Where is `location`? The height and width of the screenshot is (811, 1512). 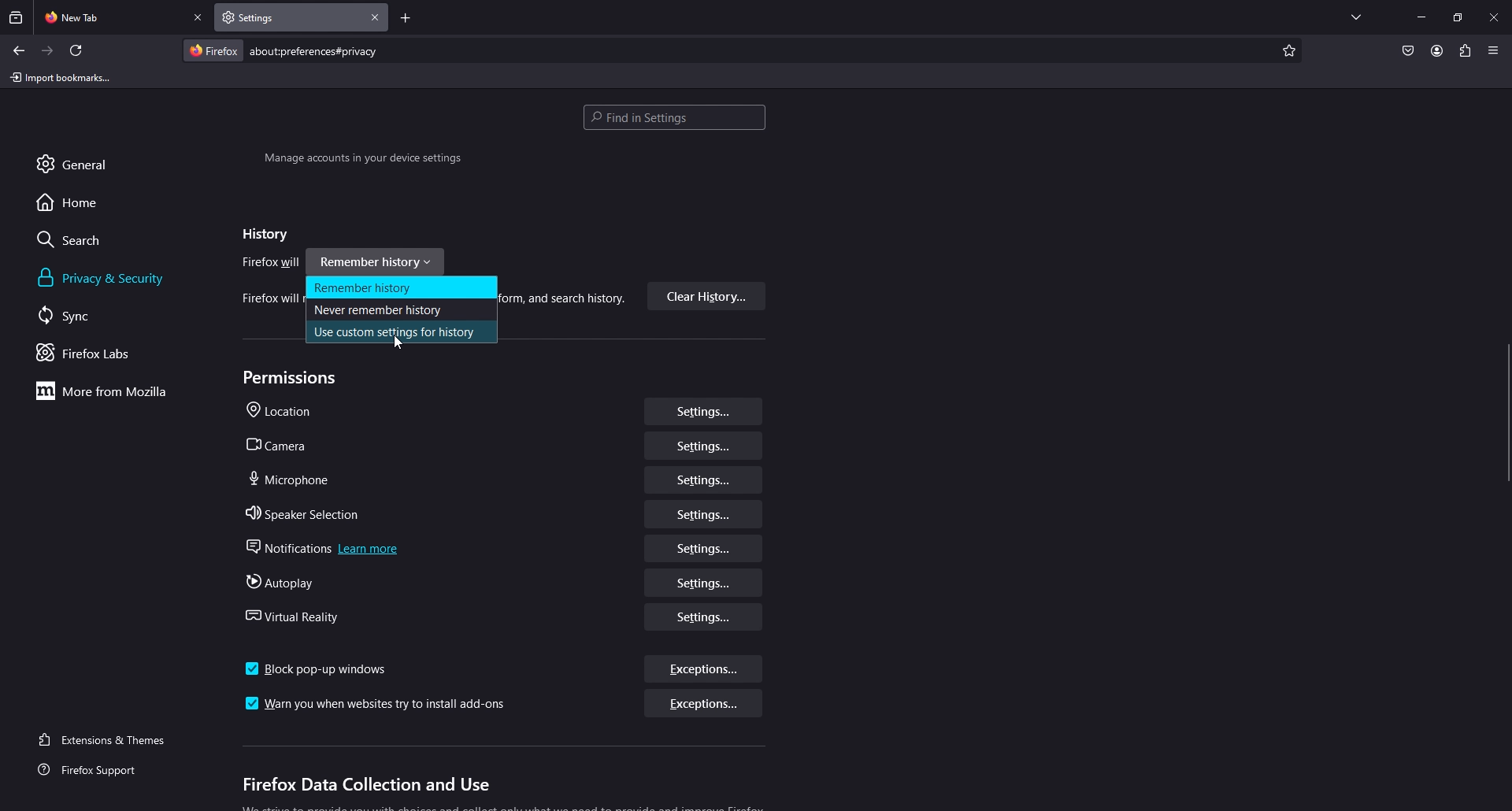
location is located at coordinates (286, 412).